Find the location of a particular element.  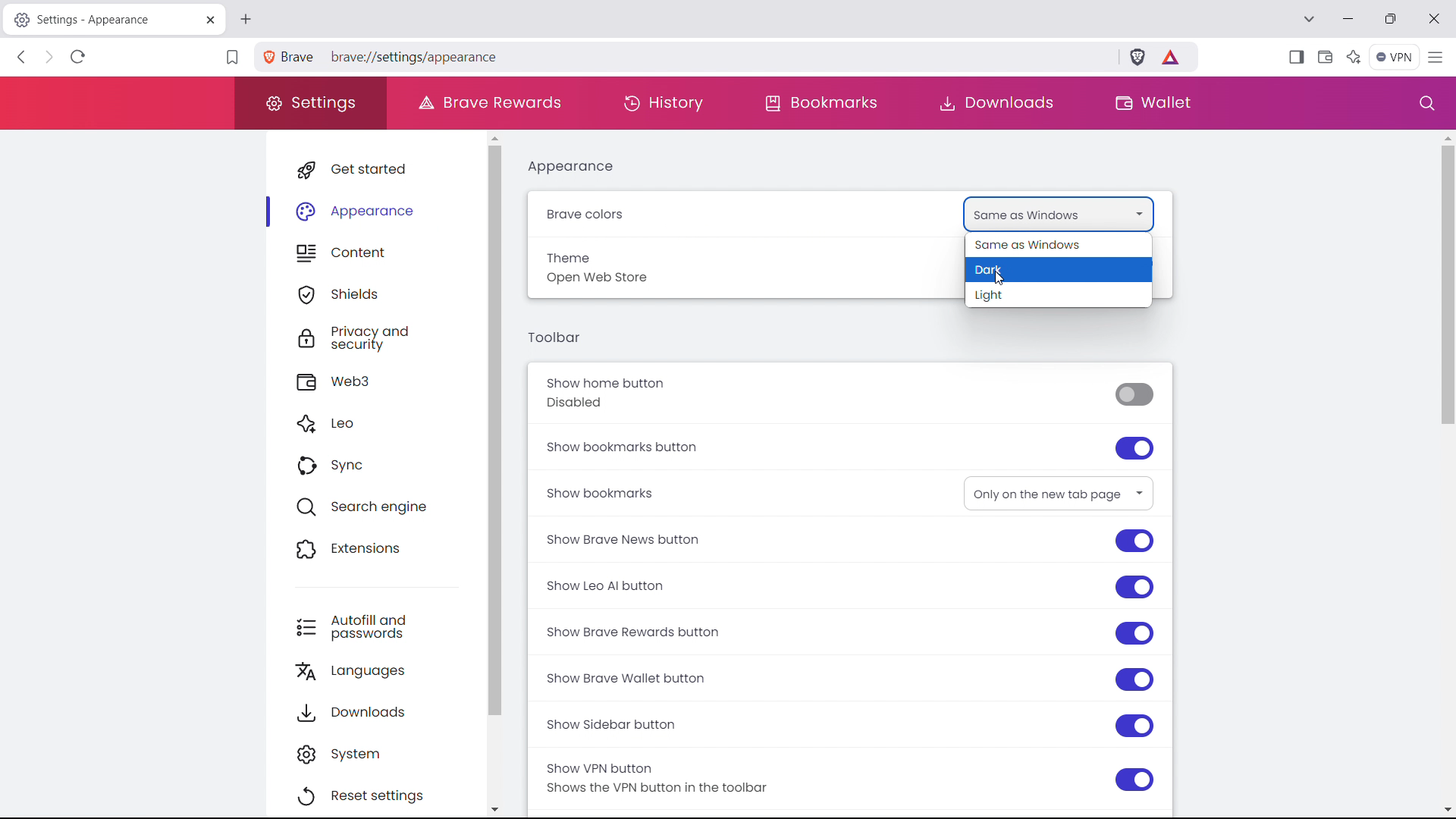

web3 is located at coordinates (386, 380).